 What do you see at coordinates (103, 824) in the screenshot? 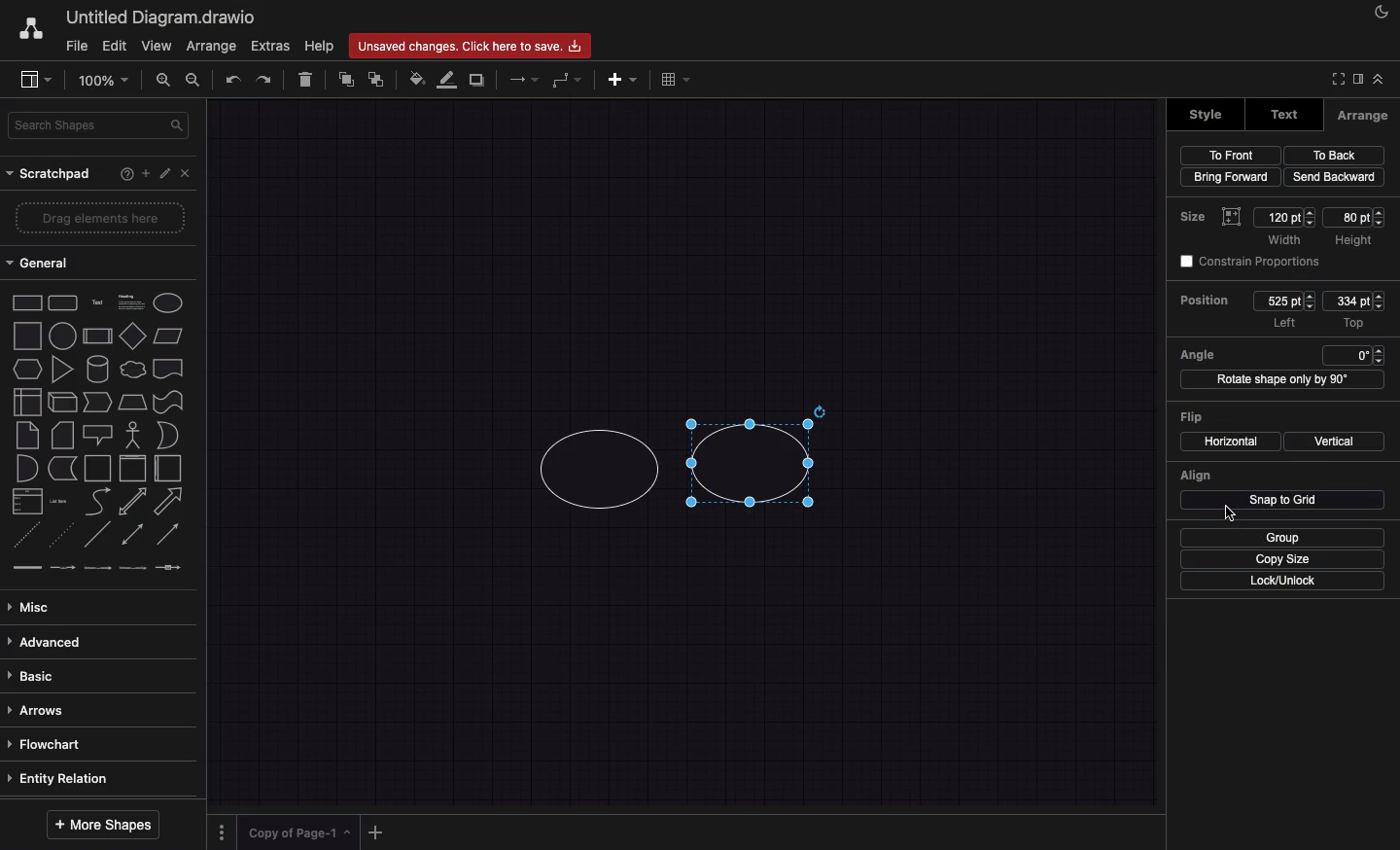
I see `more shapes` at bounding box center [103, 824].